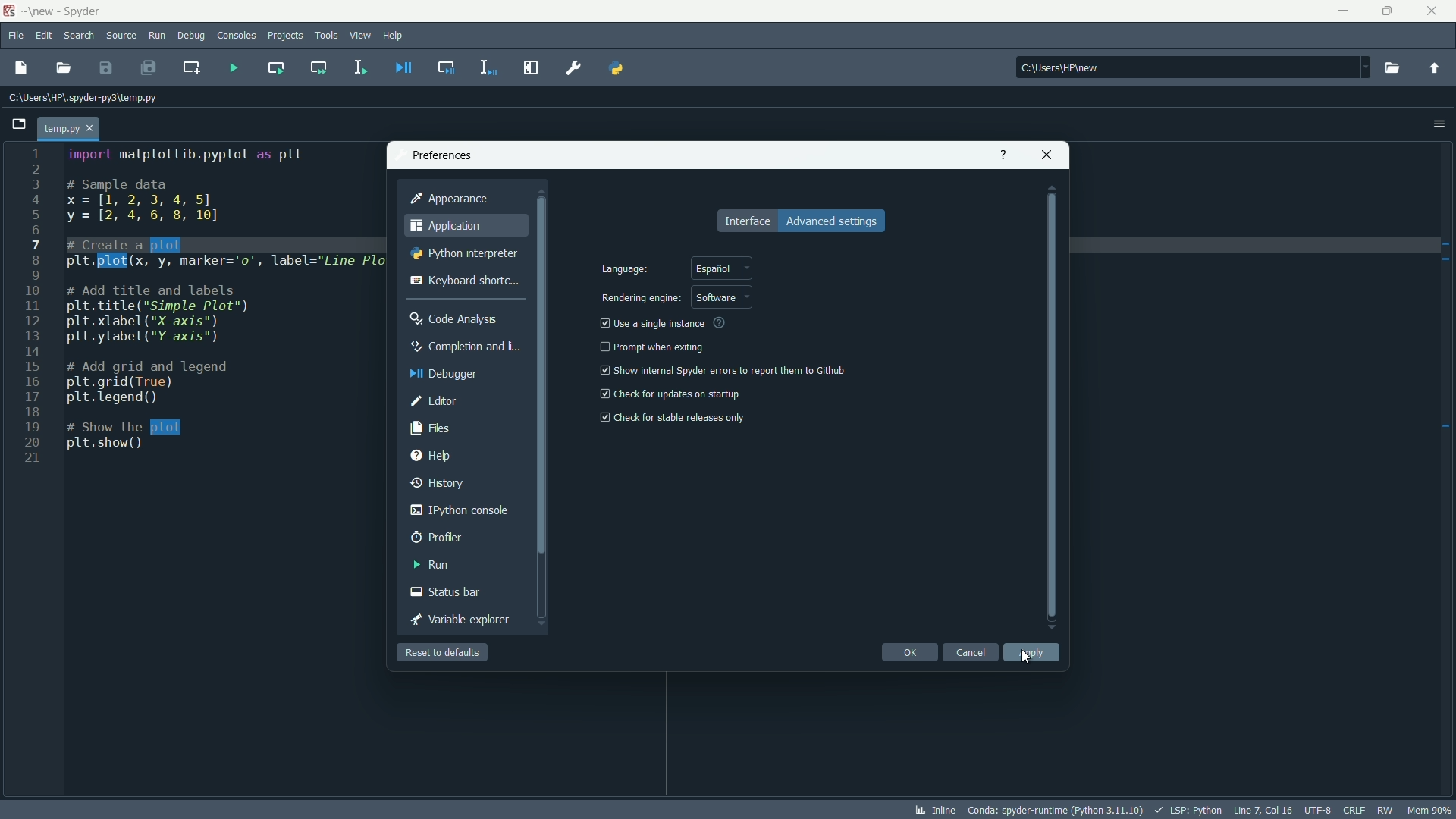 The image size is (1456, 819). I want to click on keyboard shortcut, so click(463, 279).